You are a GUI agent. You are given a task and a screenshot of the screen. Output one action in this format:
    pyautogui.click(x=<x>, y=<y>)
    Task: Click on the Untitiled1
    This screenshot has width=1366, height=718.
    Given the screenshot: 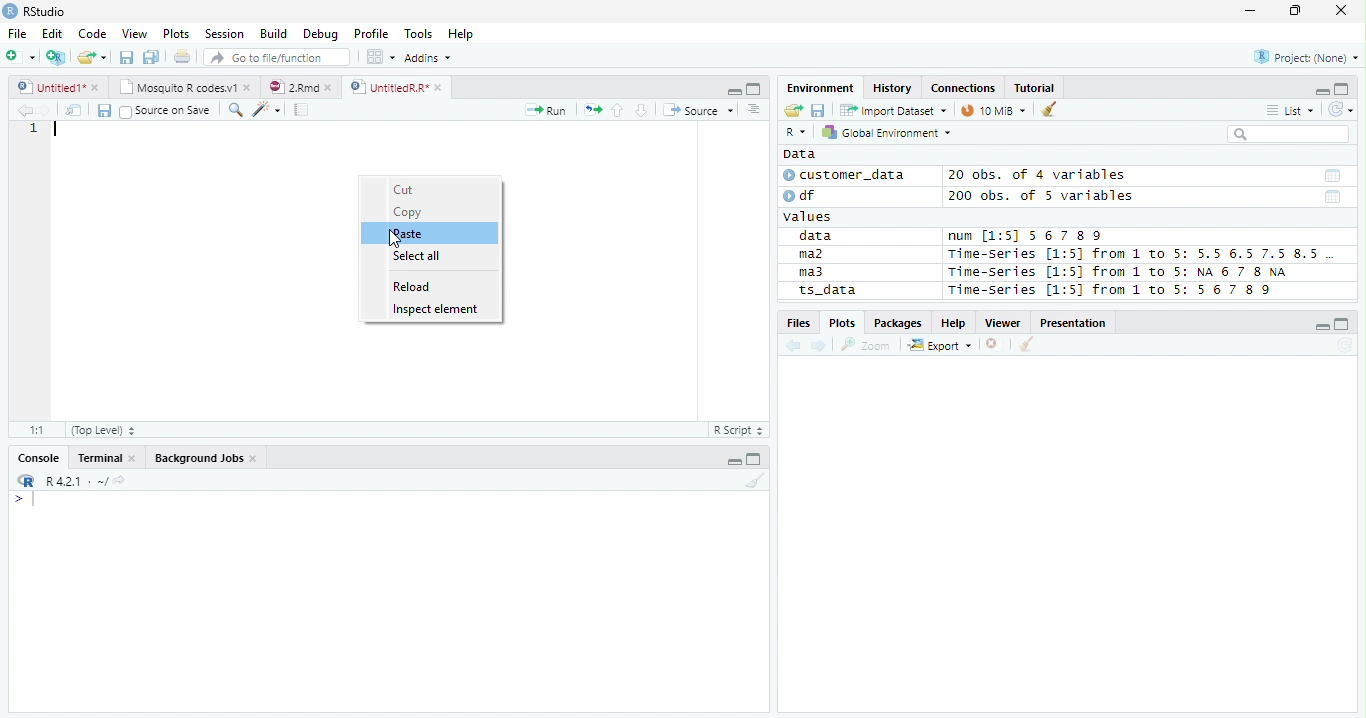 What is the action you would take?
    pyautogui.click(x=57, y=87)
    